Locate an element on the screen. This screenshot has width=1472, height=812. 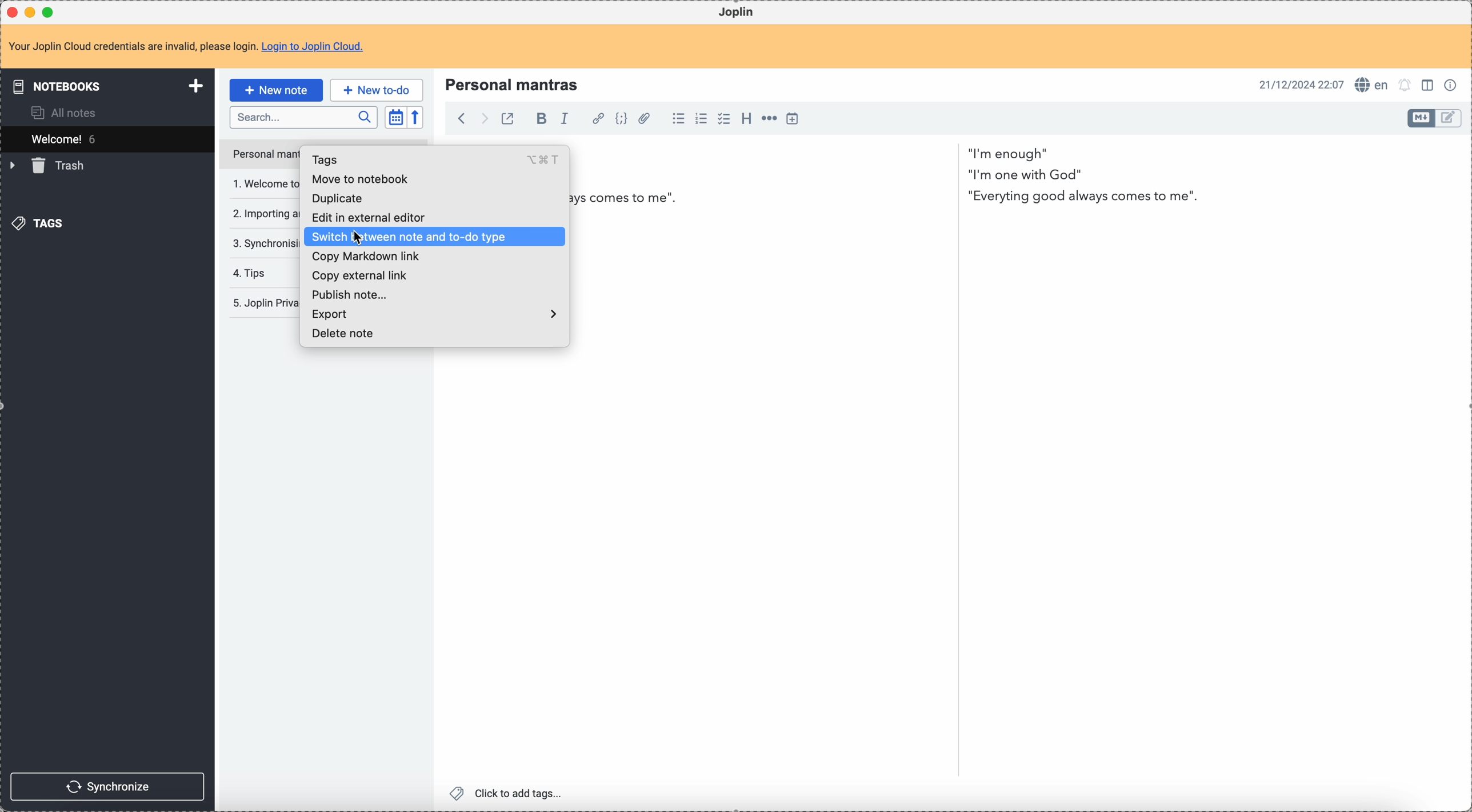
edit in external editor is located at coordinates (367, 217).